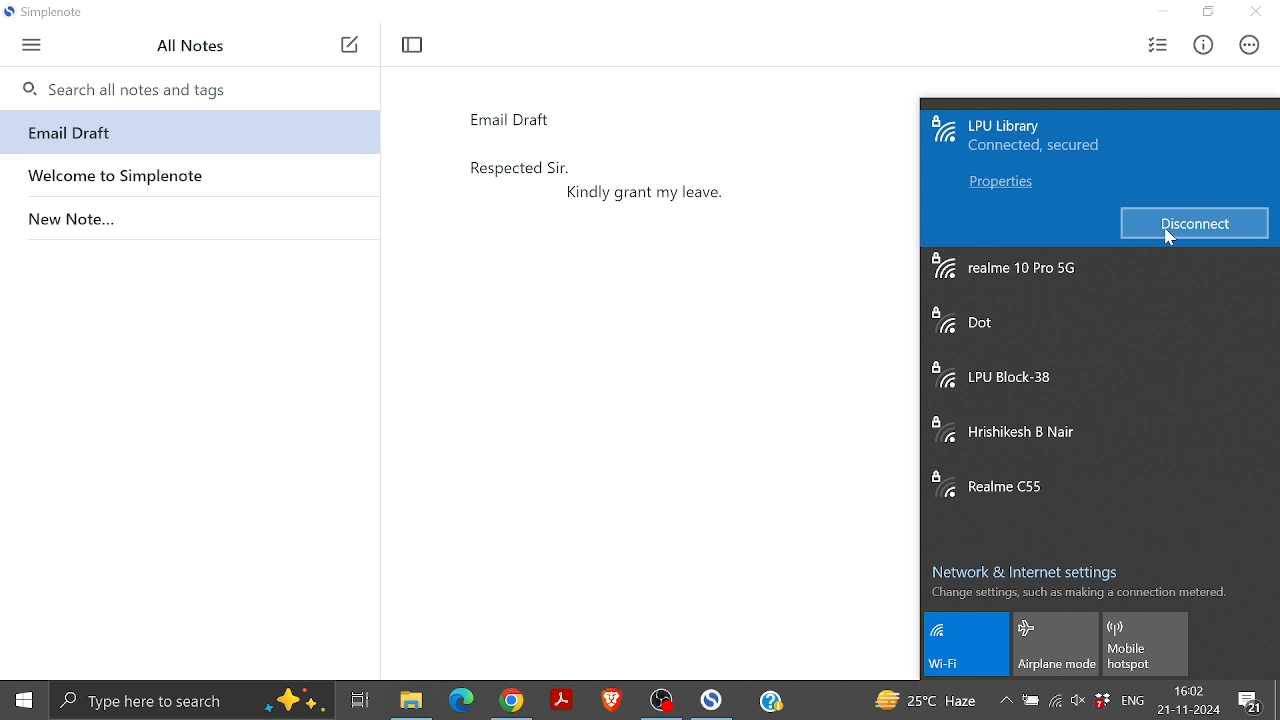  What do you see at coordinates (1246, 45) in the screenshot?
I see `Actions` at bounding box center [1246, 45].